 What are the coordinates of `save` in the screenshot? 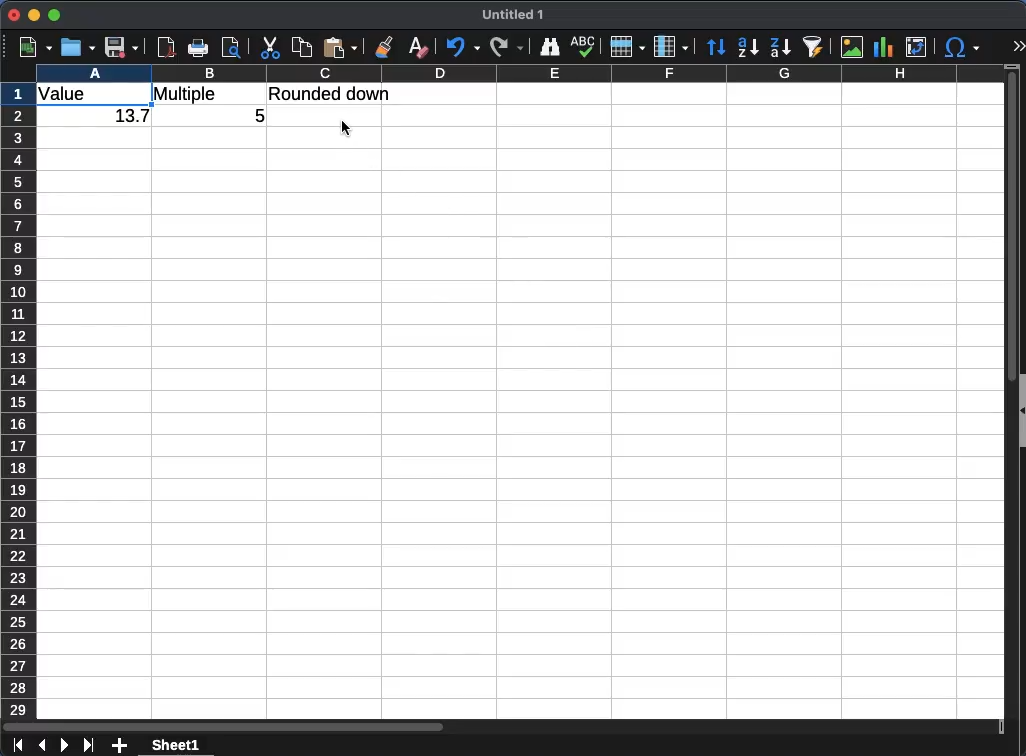 It's located at (122, 48).